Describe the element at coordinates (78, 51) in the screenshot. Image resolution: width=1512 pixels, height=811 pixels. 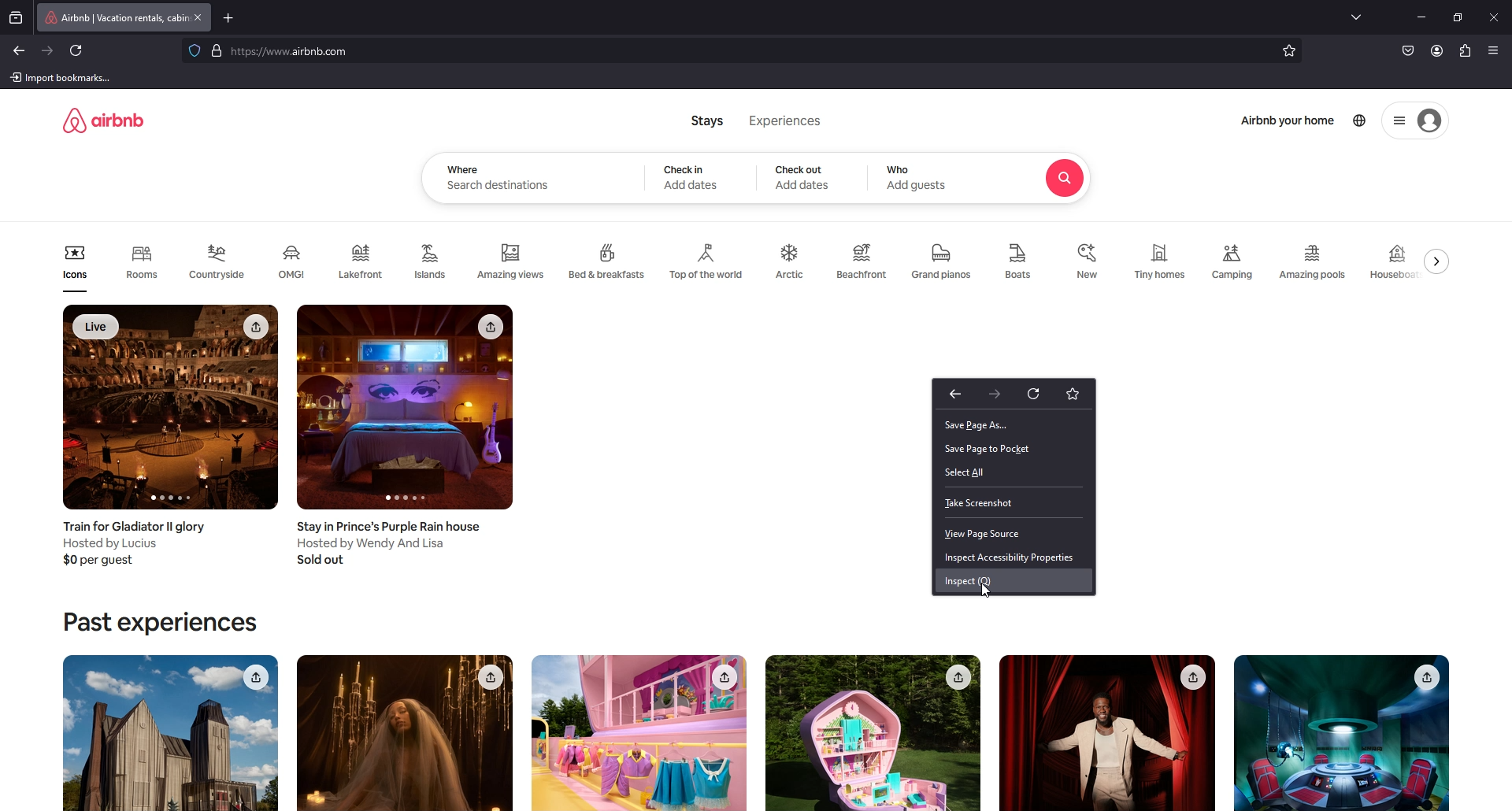
I see `refresh` at that location.